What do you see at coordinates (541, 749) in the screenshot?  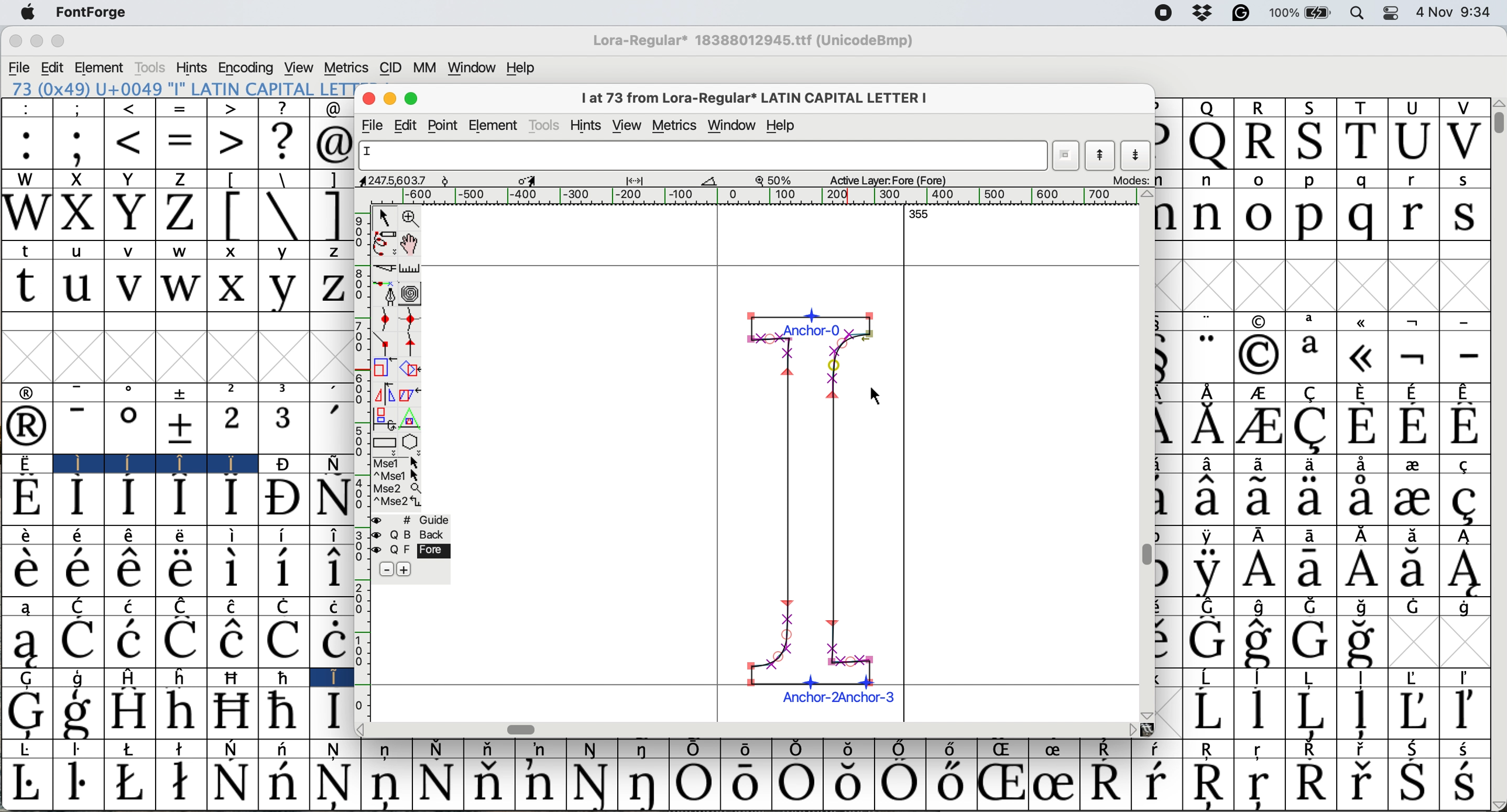 I see `Symbol` at bounding box center [541, 749].